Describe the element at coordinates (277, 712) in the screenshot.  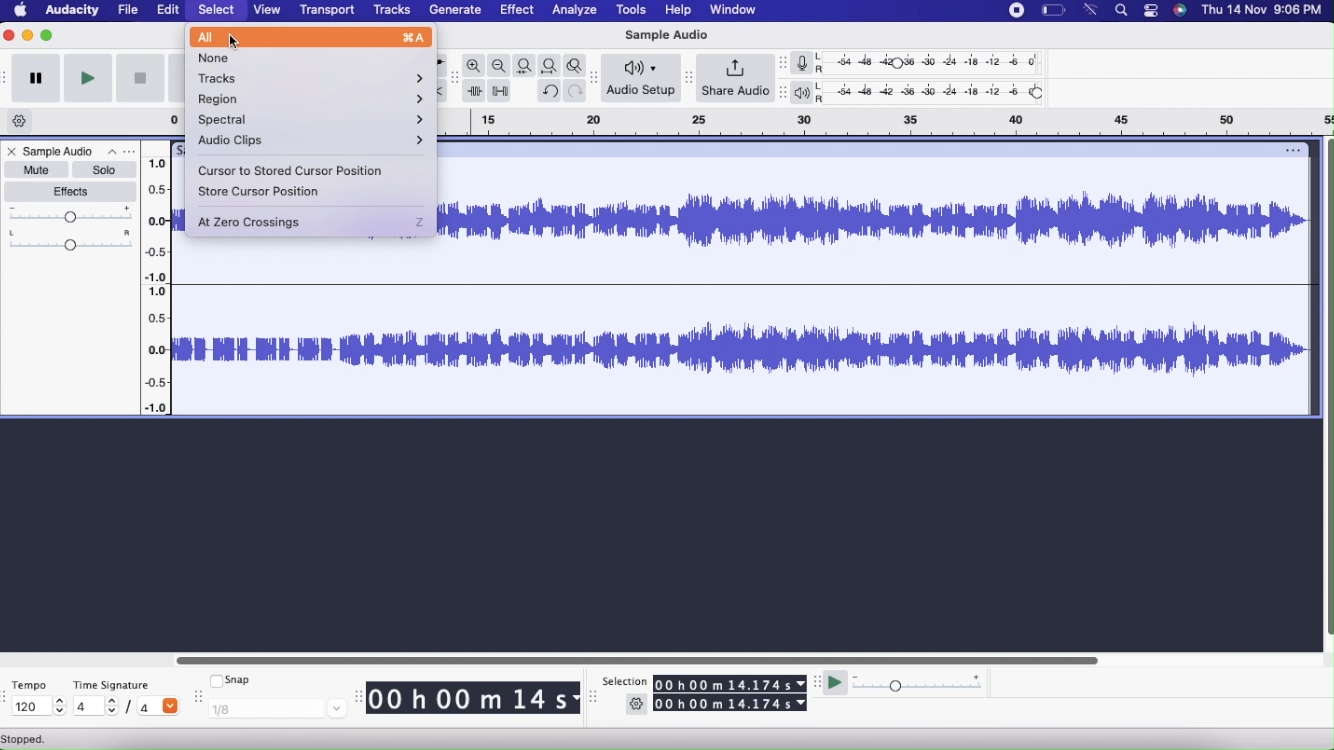
I see `1/8` at that location.